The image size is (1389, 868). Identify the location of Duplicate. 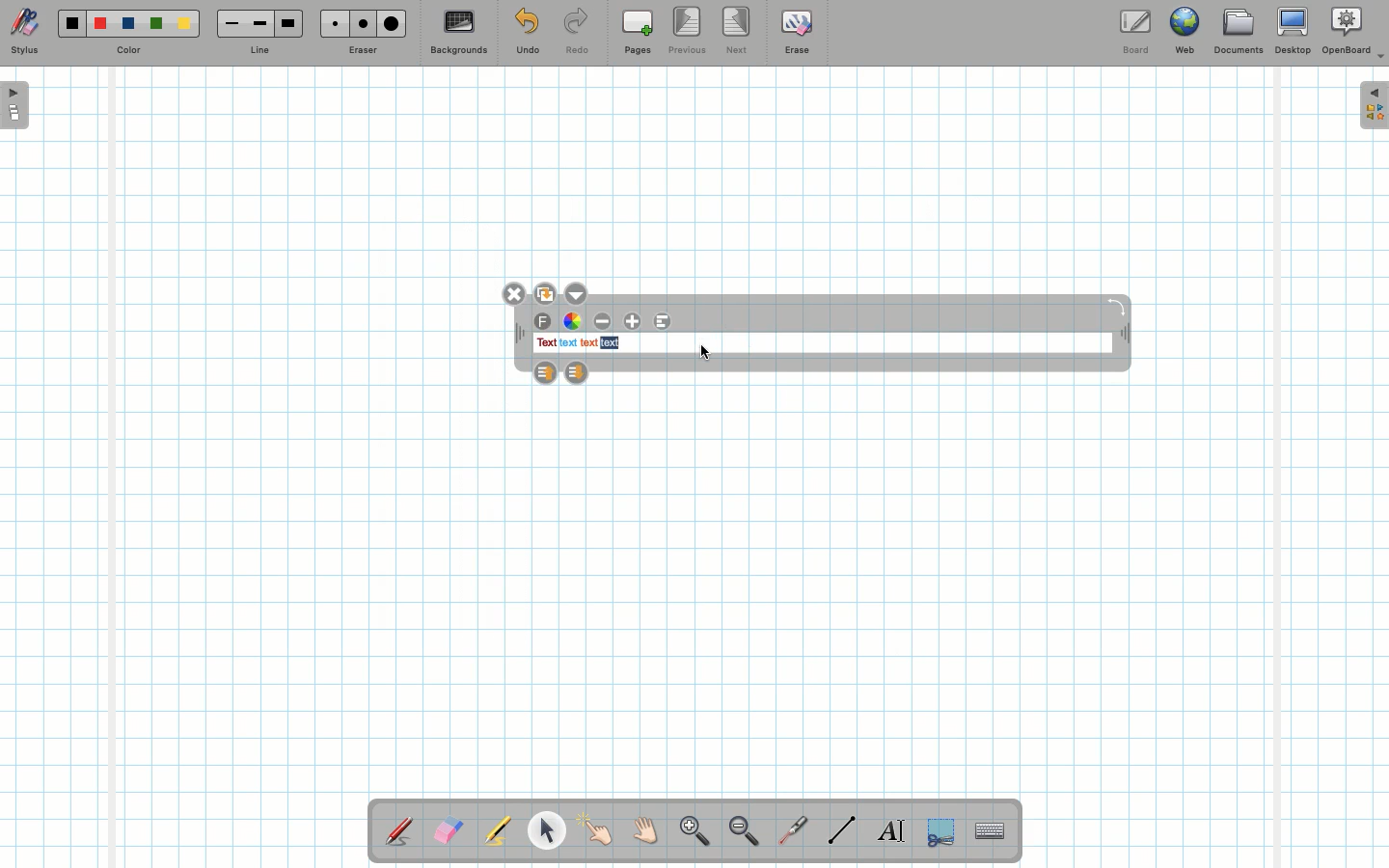
(544, 291).